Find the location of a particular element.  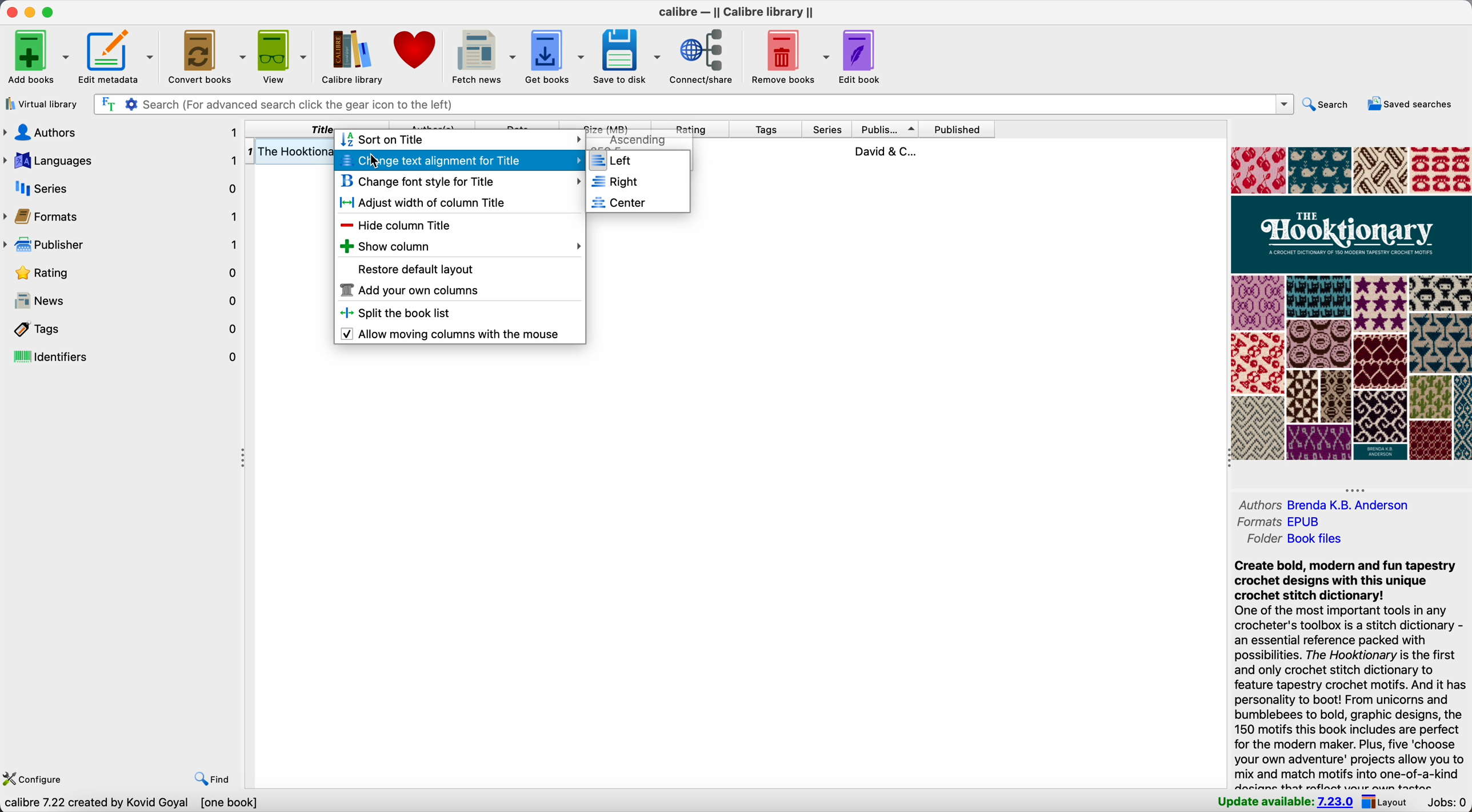

split the book list is located at coordinates (398, 314).